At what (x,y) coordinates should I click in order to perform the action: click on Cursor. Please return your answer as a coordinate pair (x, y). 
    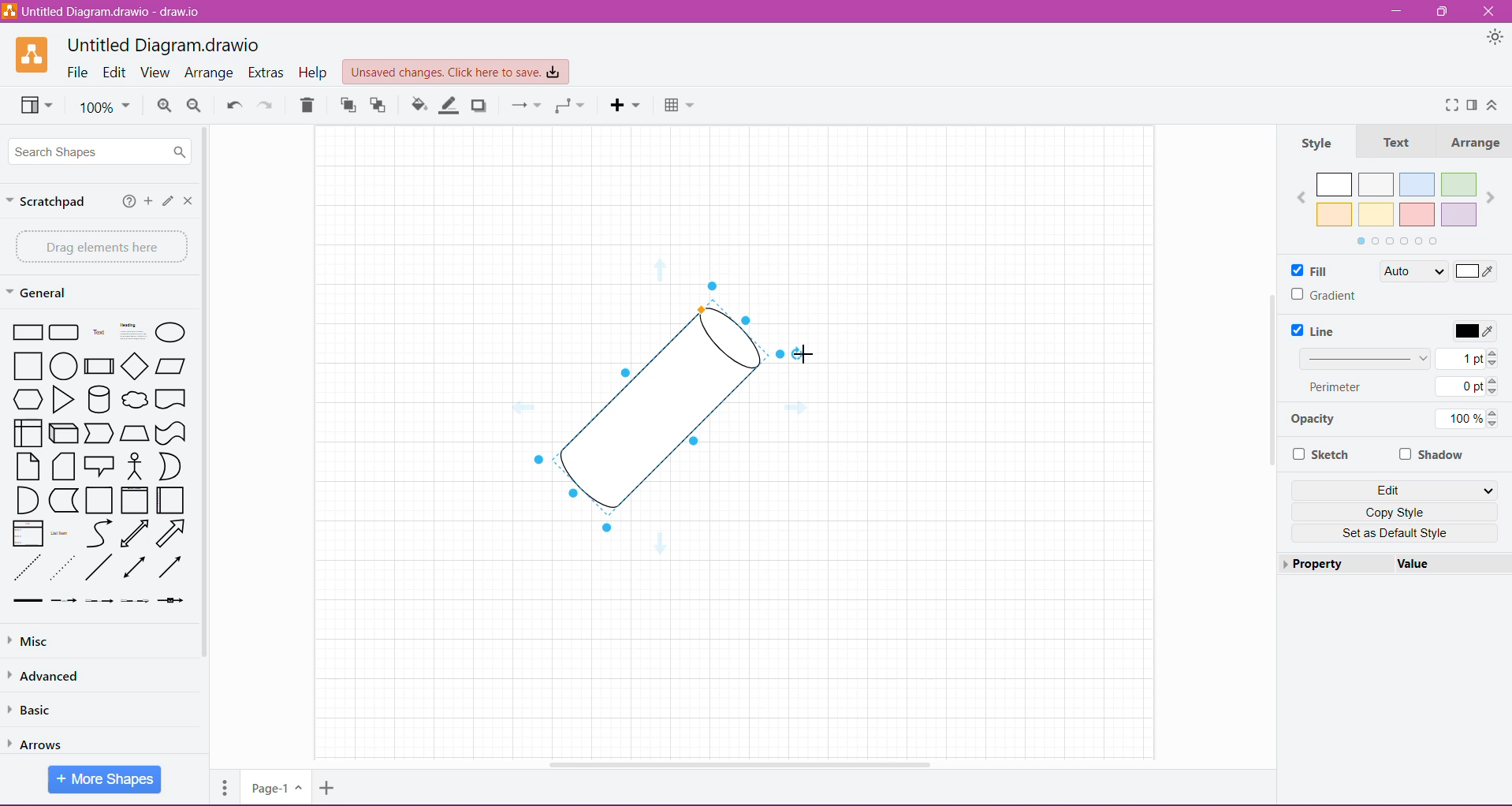
    Looking at the image, I should click on (819, 349).